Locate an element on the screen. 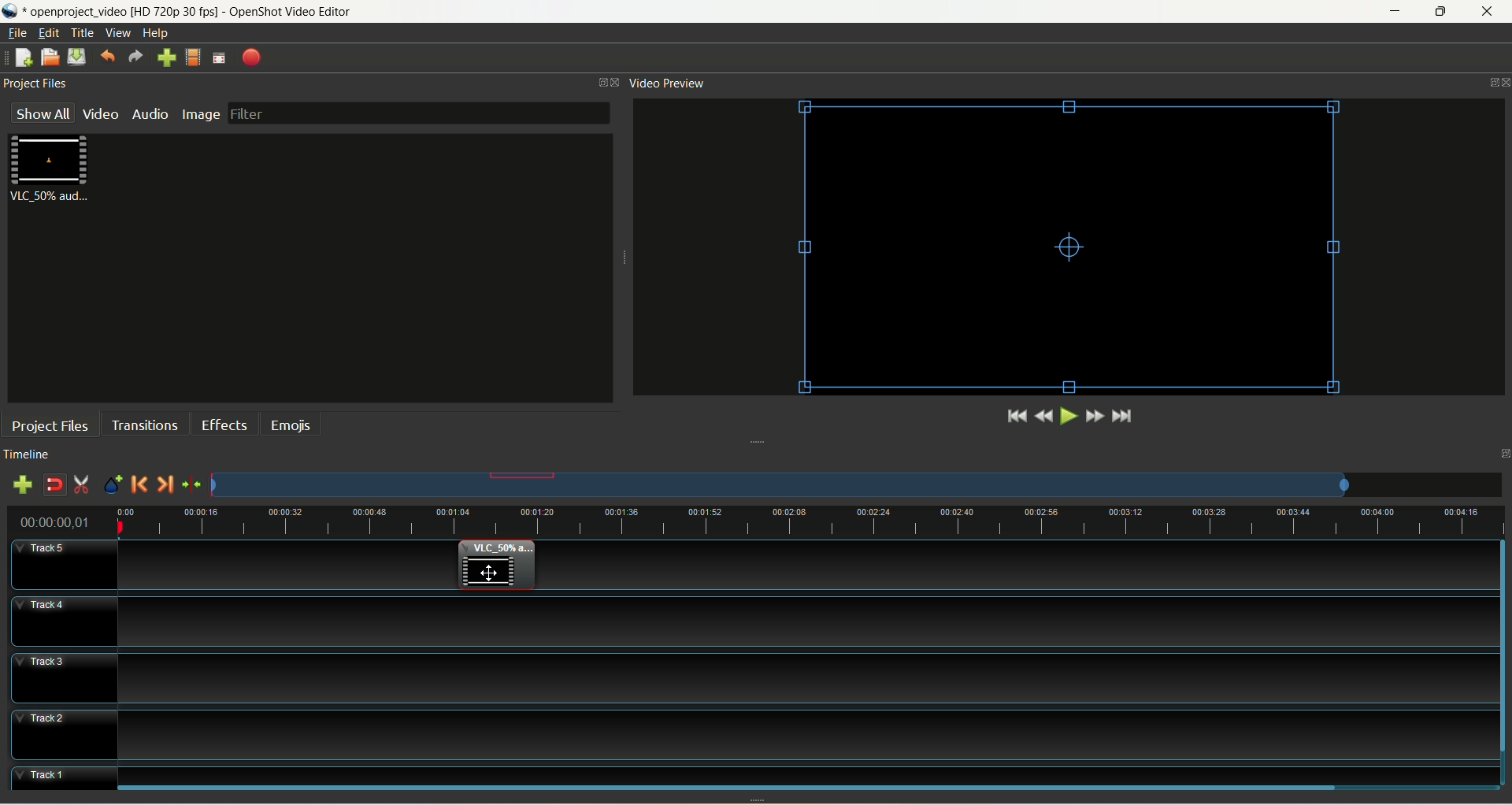 This screenshot has width=1512, height=805. zoom factor is located at coordinates (857, 484).